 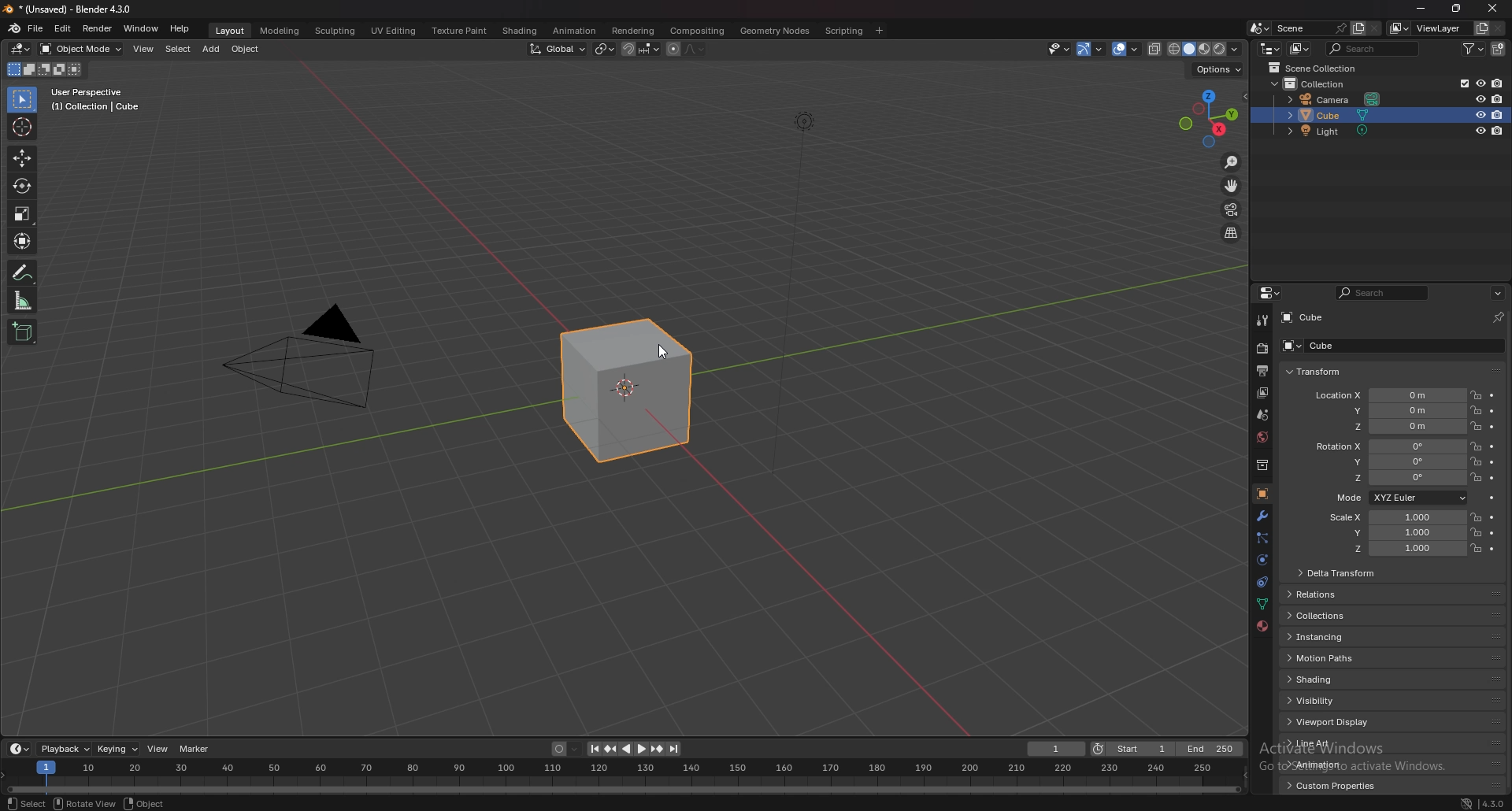 What do you see at coordinates (1336, 133) in the screenshot?
I see `light` at bounding box center [1336, 133].